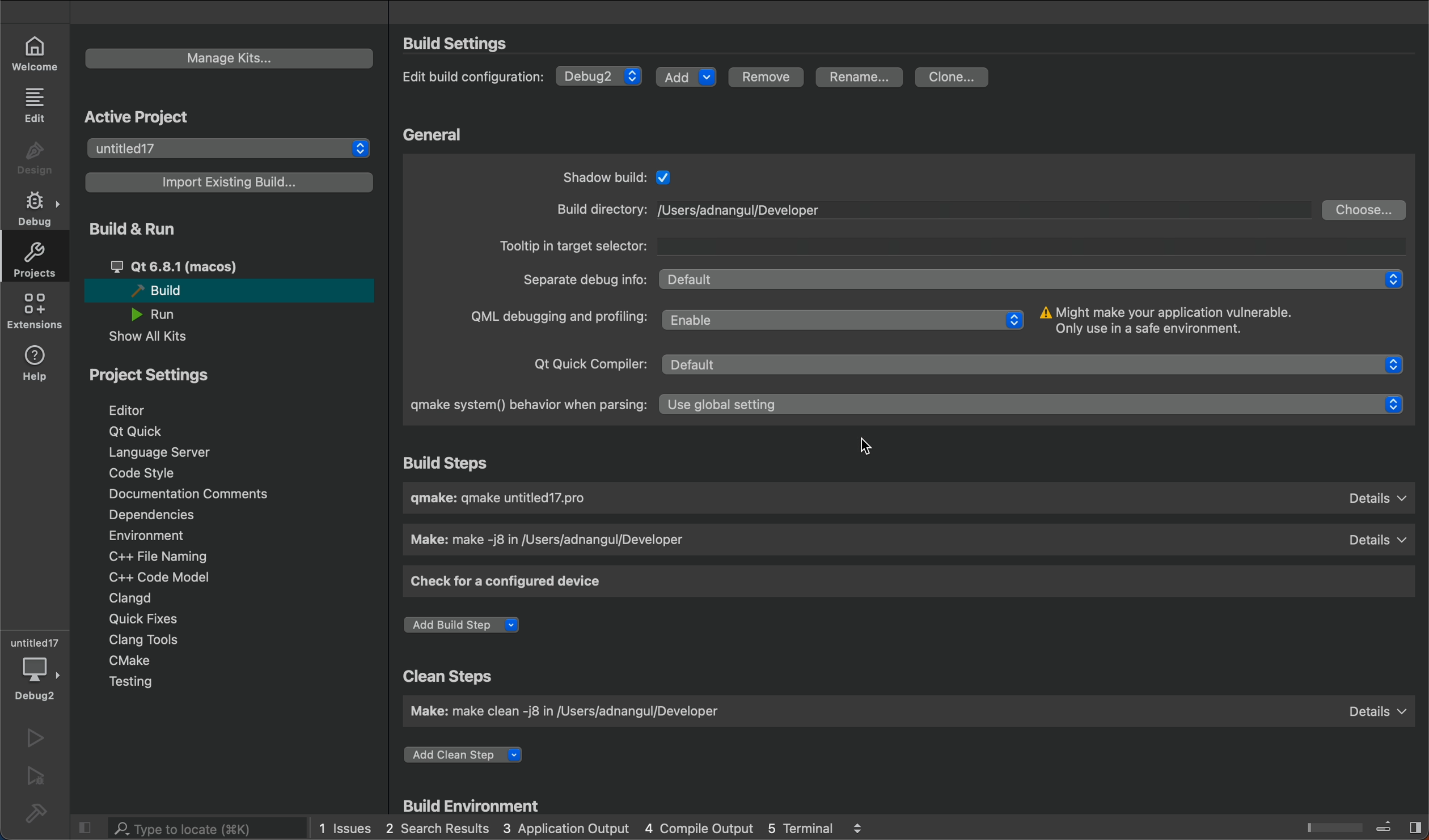 The height and width of the screenshot is (840, 1429). I want to click on tootlp, so click(574, 246).